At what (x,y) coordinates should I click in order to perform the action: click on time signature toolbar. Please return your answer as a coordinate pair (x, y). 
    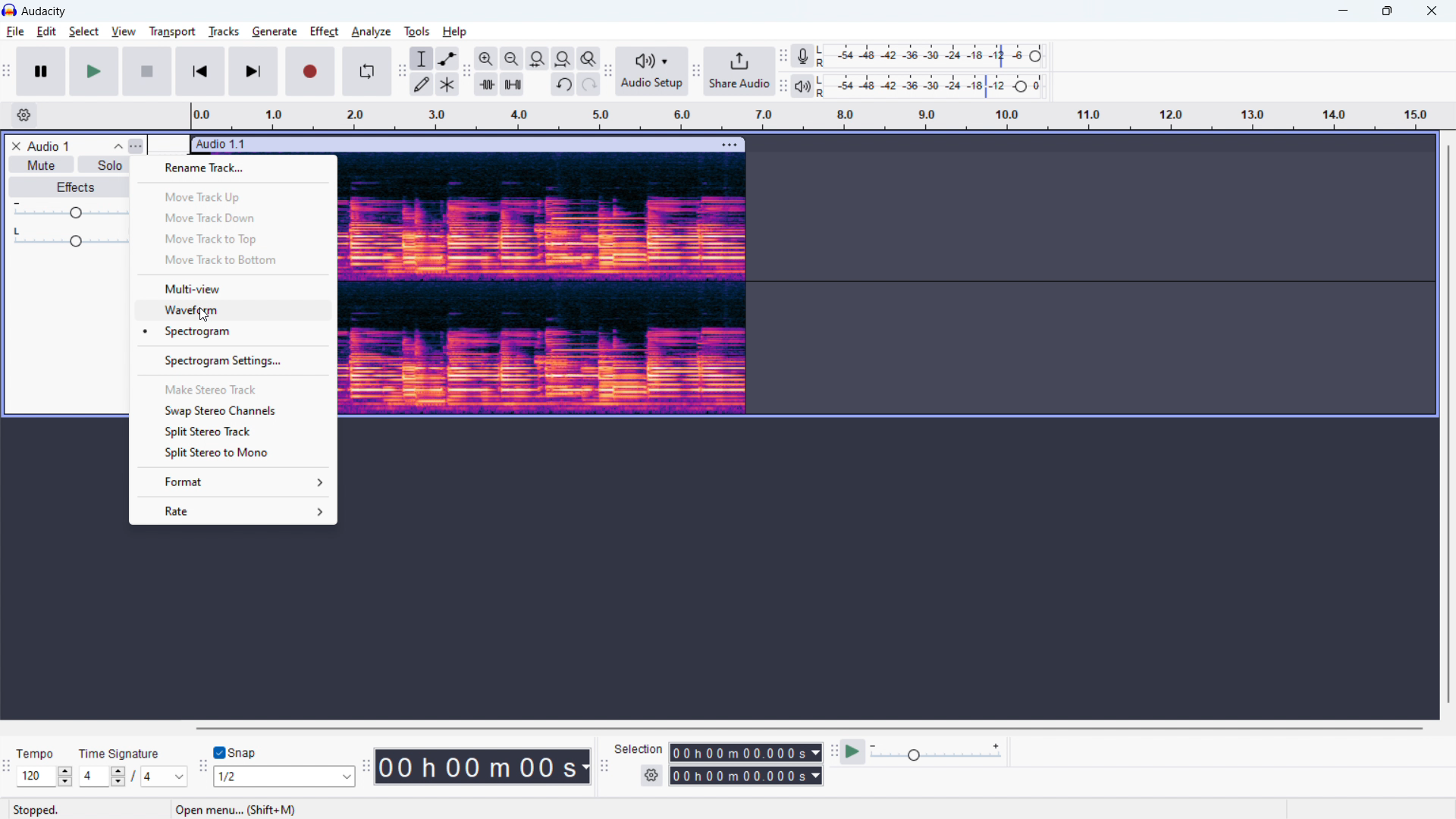
    Looking at the image, I should click on (7, 769).